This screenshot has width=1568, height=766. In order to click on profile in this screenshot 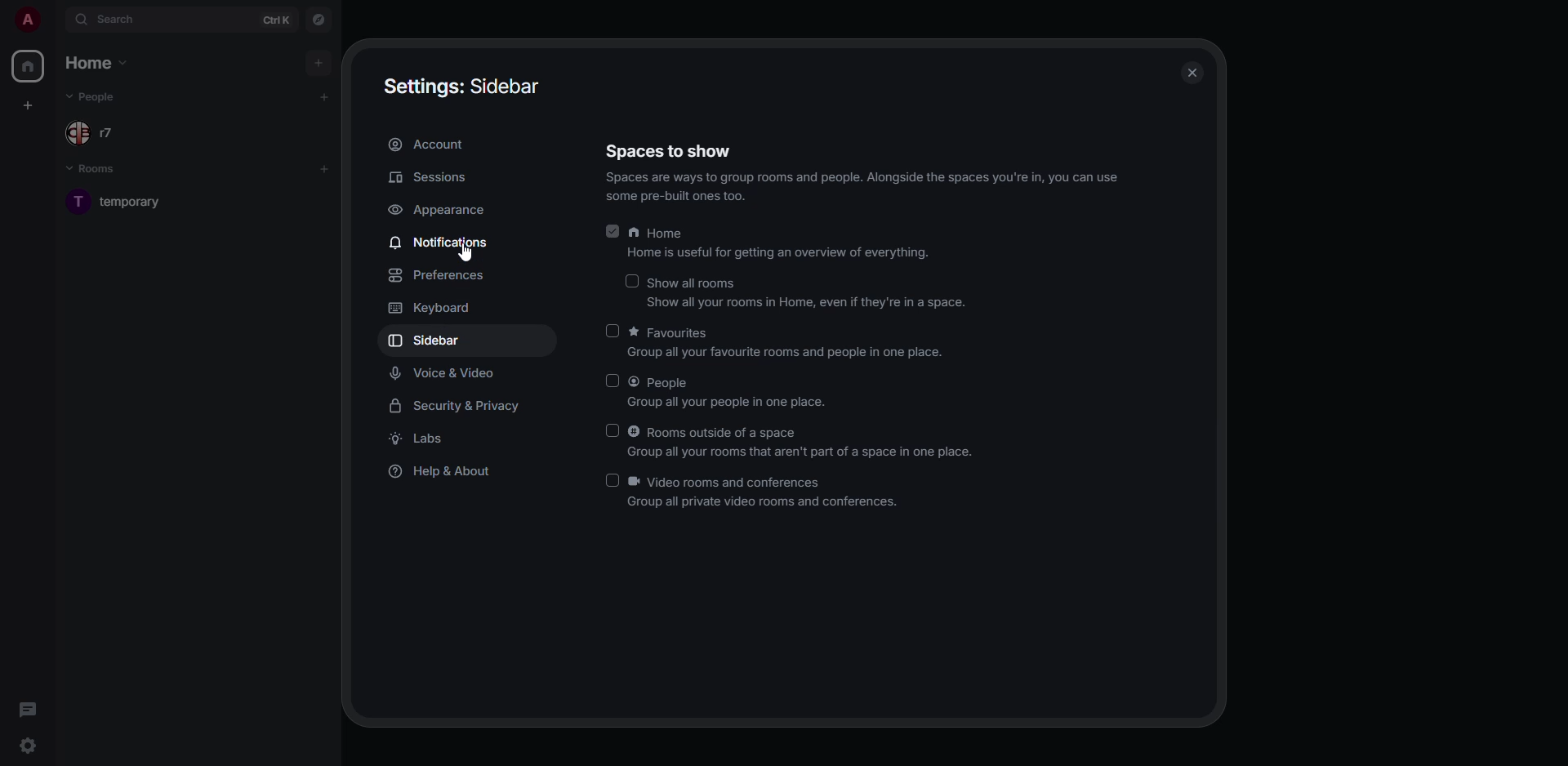, I will do `click(26, 19)`.